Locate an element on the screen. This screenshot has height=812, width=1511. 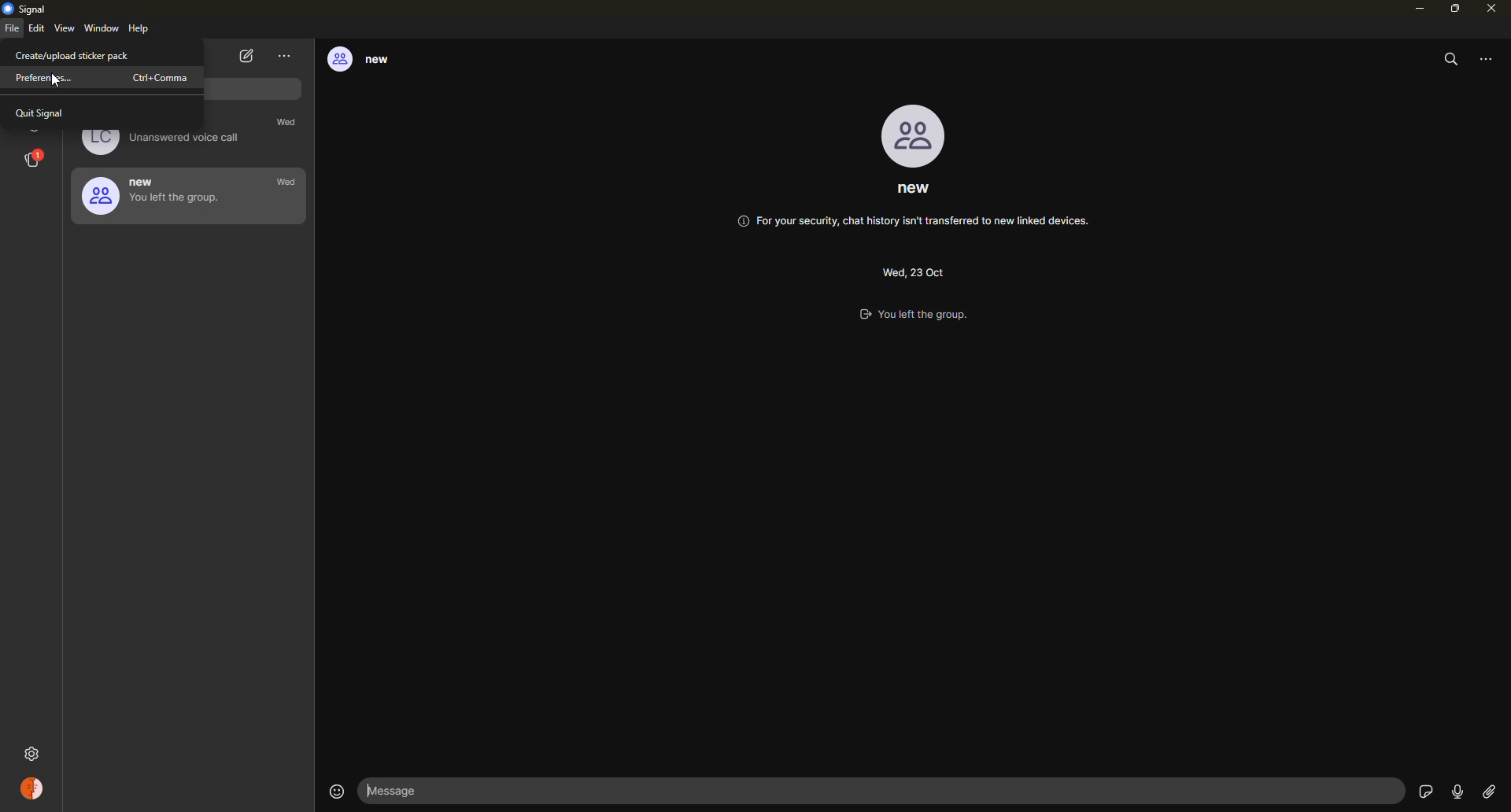
file is located at coordinates (12, 31).